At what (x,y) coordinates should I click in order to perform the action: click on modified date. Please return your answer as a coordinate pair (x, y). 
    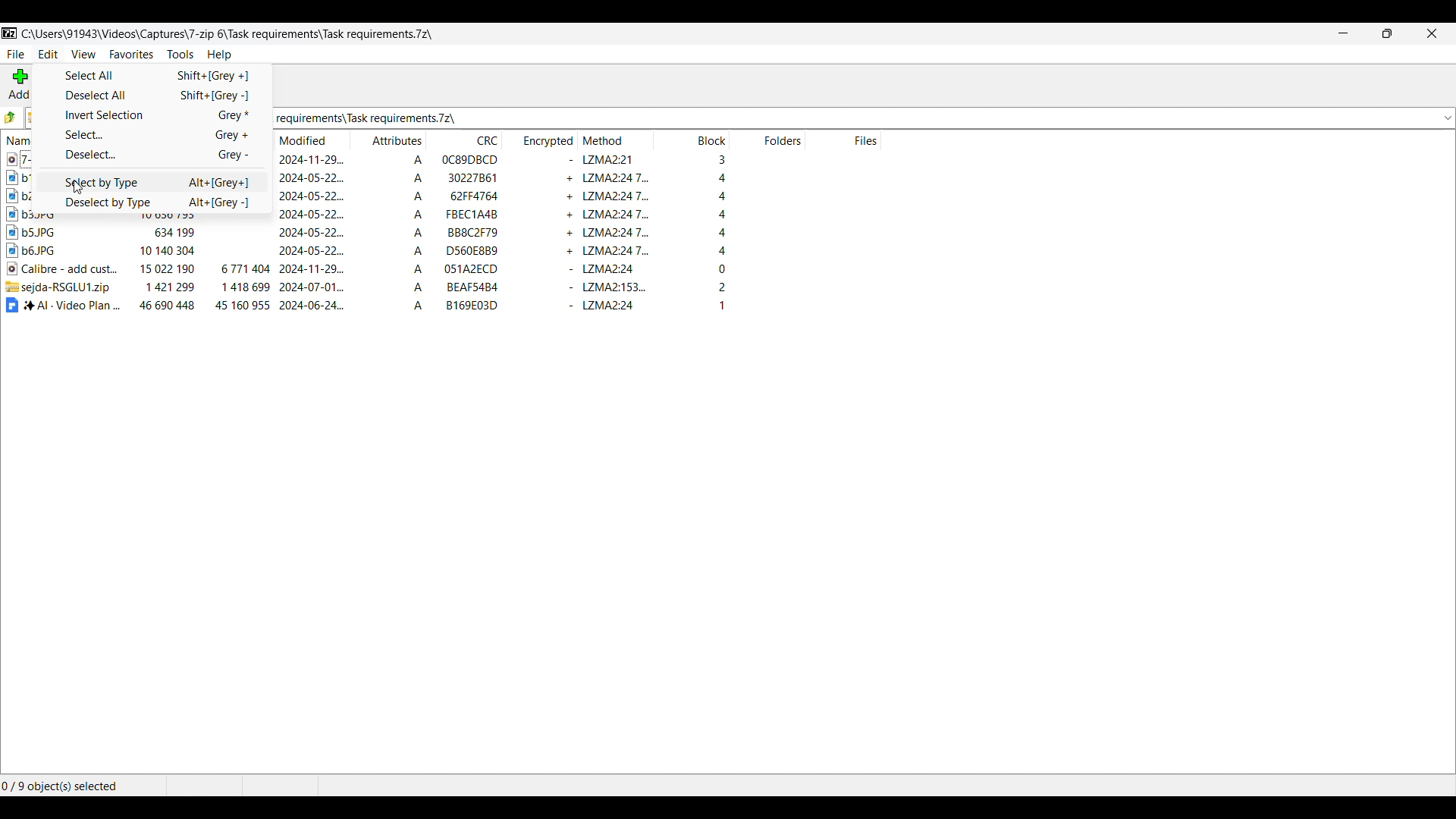
    Looking at the image, I should click on (312, 234).